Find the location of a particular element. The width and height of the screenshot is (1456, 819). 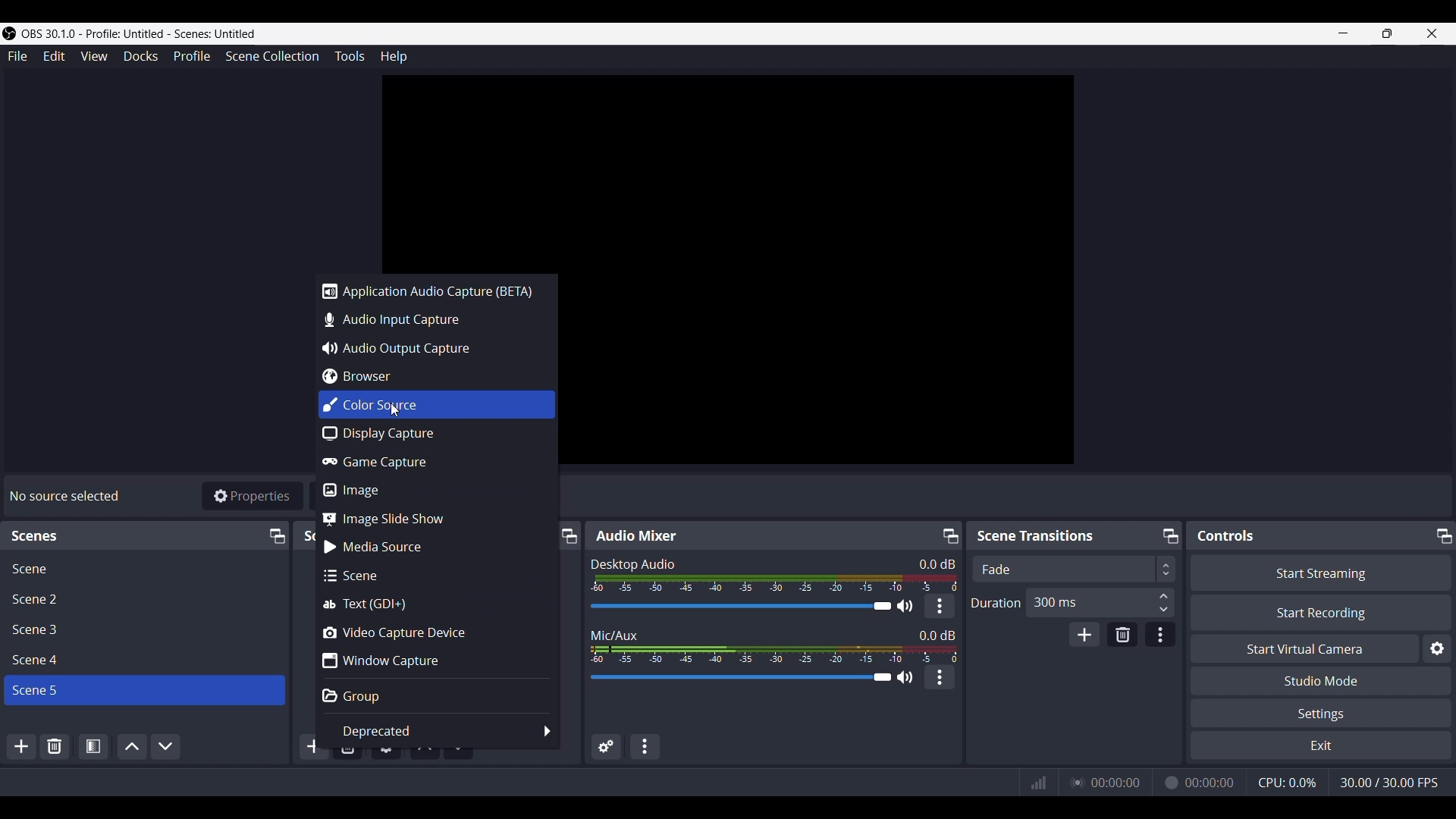

Text is located at coordinates (37, 535).